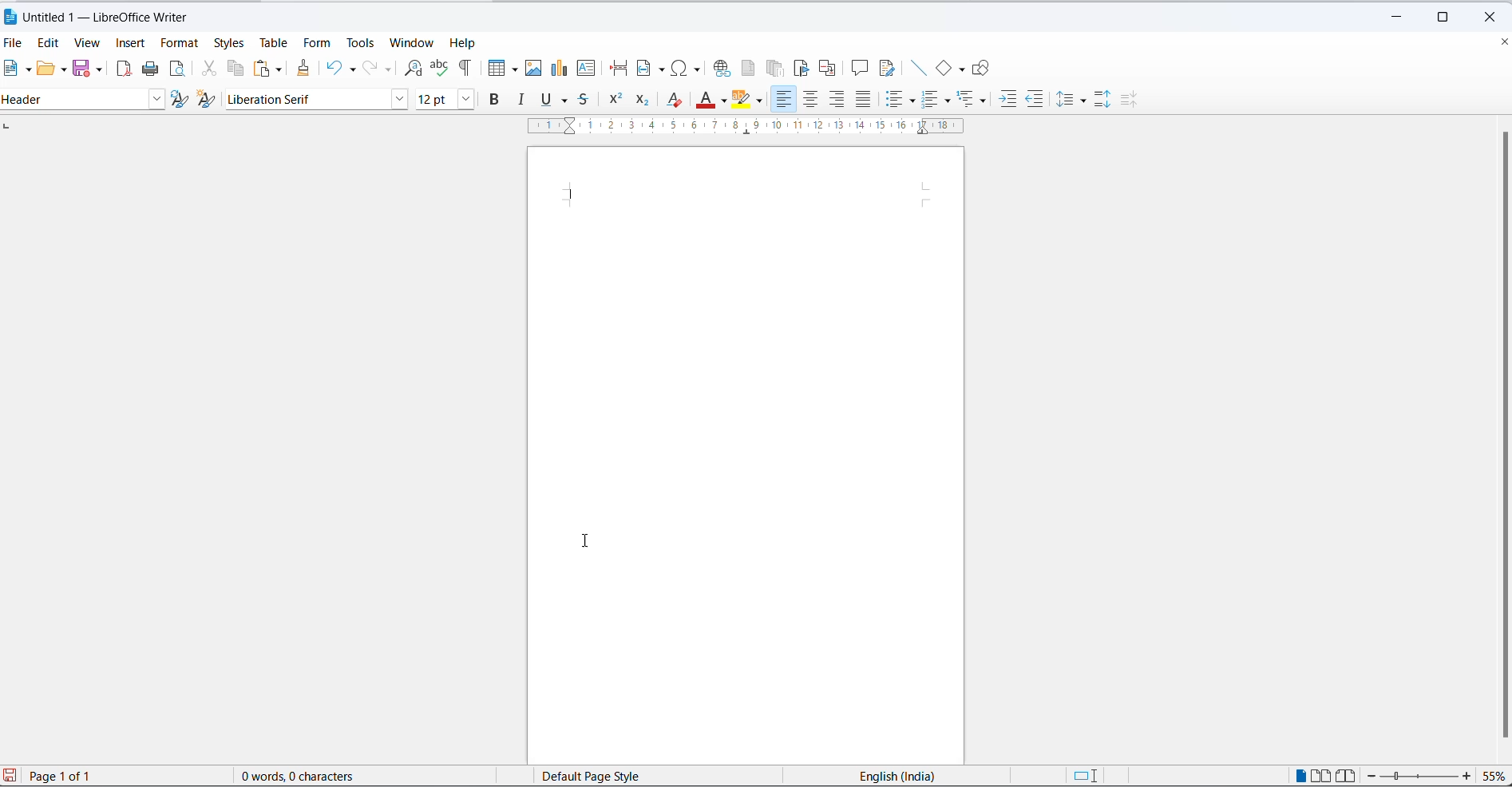 Image resolution: width=1512 pixels, height=787 pixels. What do you see at coordinates (726, 103) in the screenshot?
I see `font color options` at bounding box center [726, 103].